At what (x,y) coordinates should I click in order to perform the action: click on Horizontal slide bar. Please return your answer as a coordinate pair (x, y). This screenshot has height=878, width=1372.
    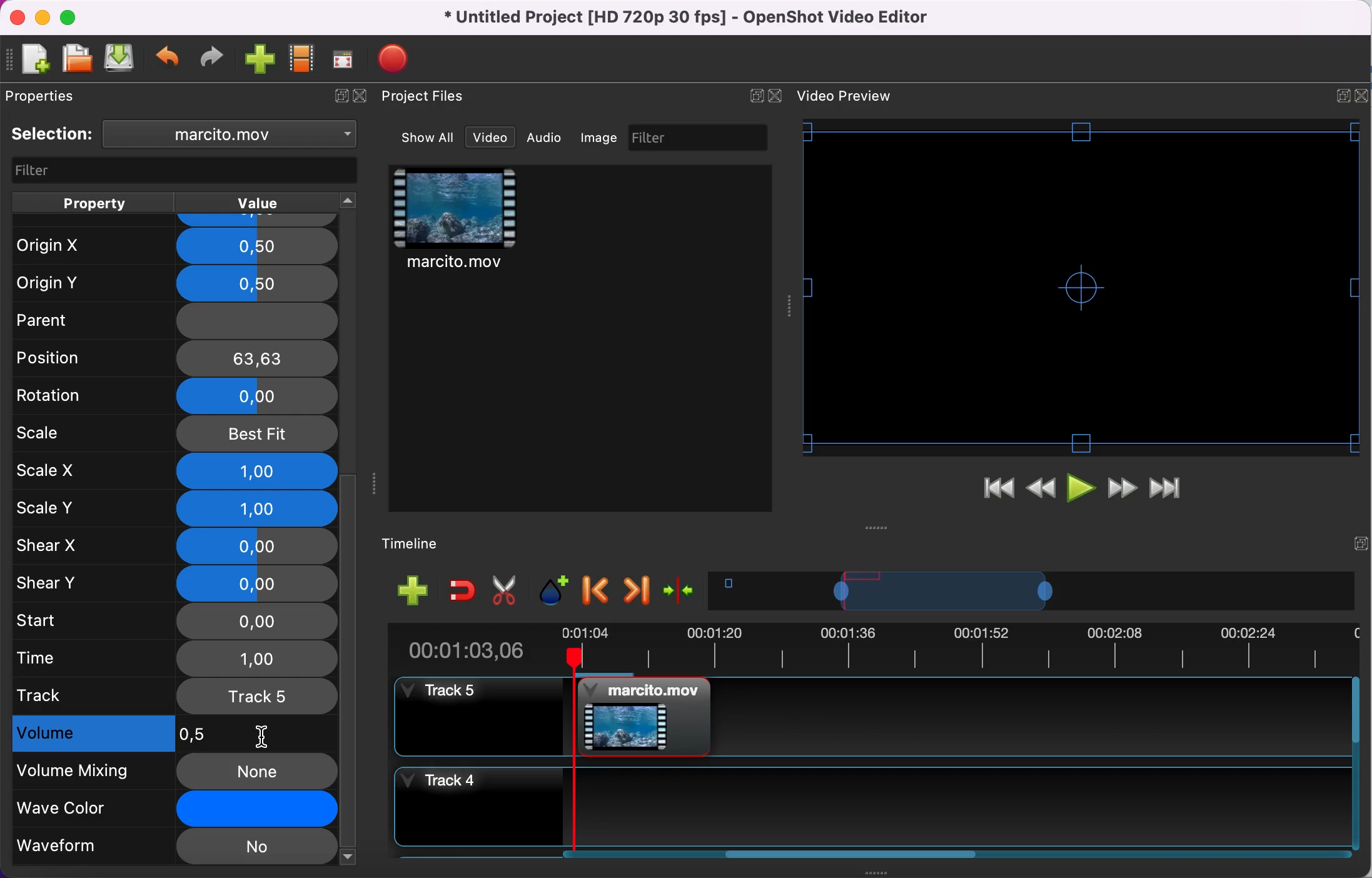
    Looking at the image, I should click on (852, 854).